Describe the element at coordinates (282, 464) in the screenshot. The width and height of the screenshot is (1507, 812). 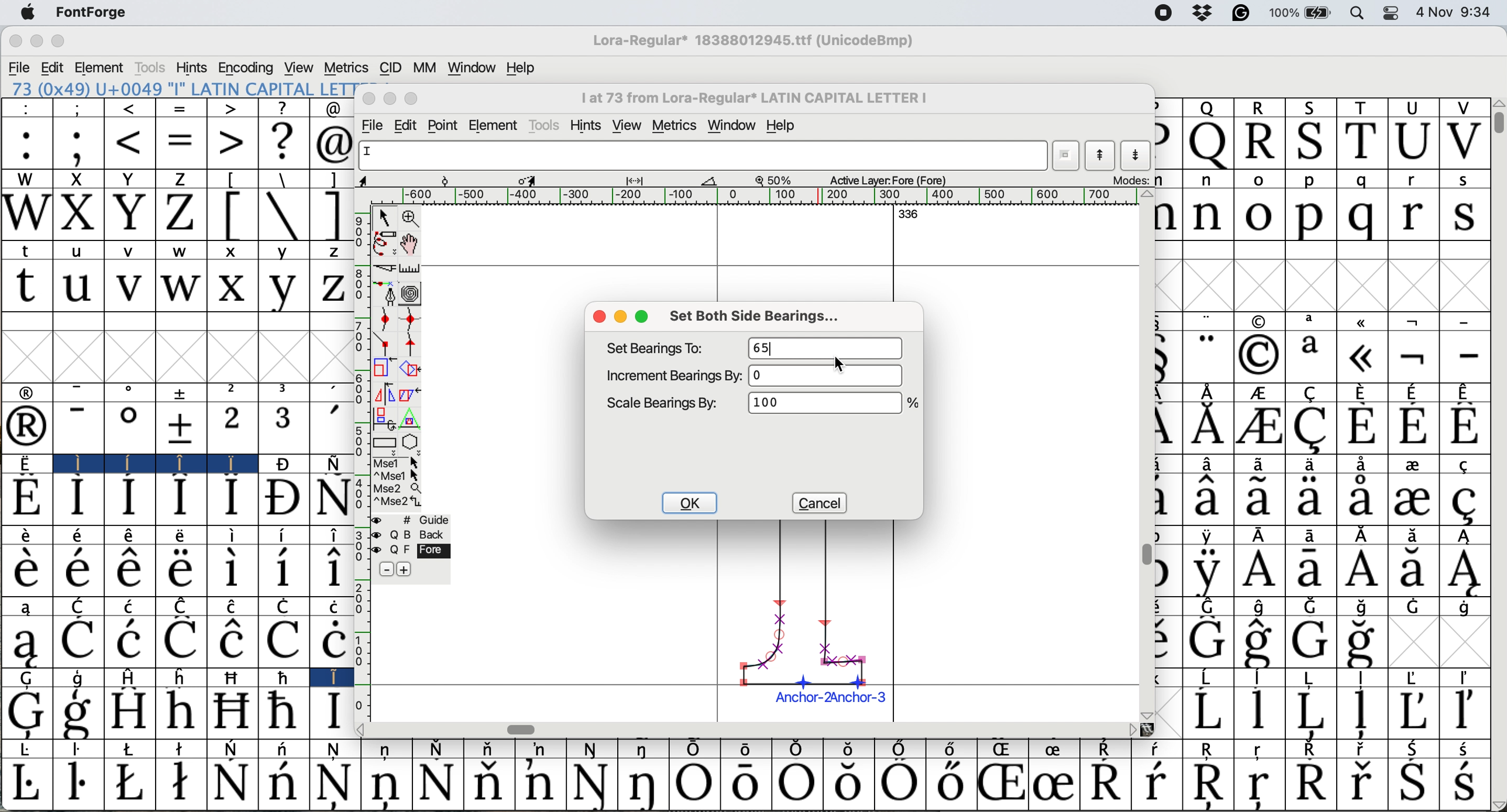
I see `Symbol` at that location.